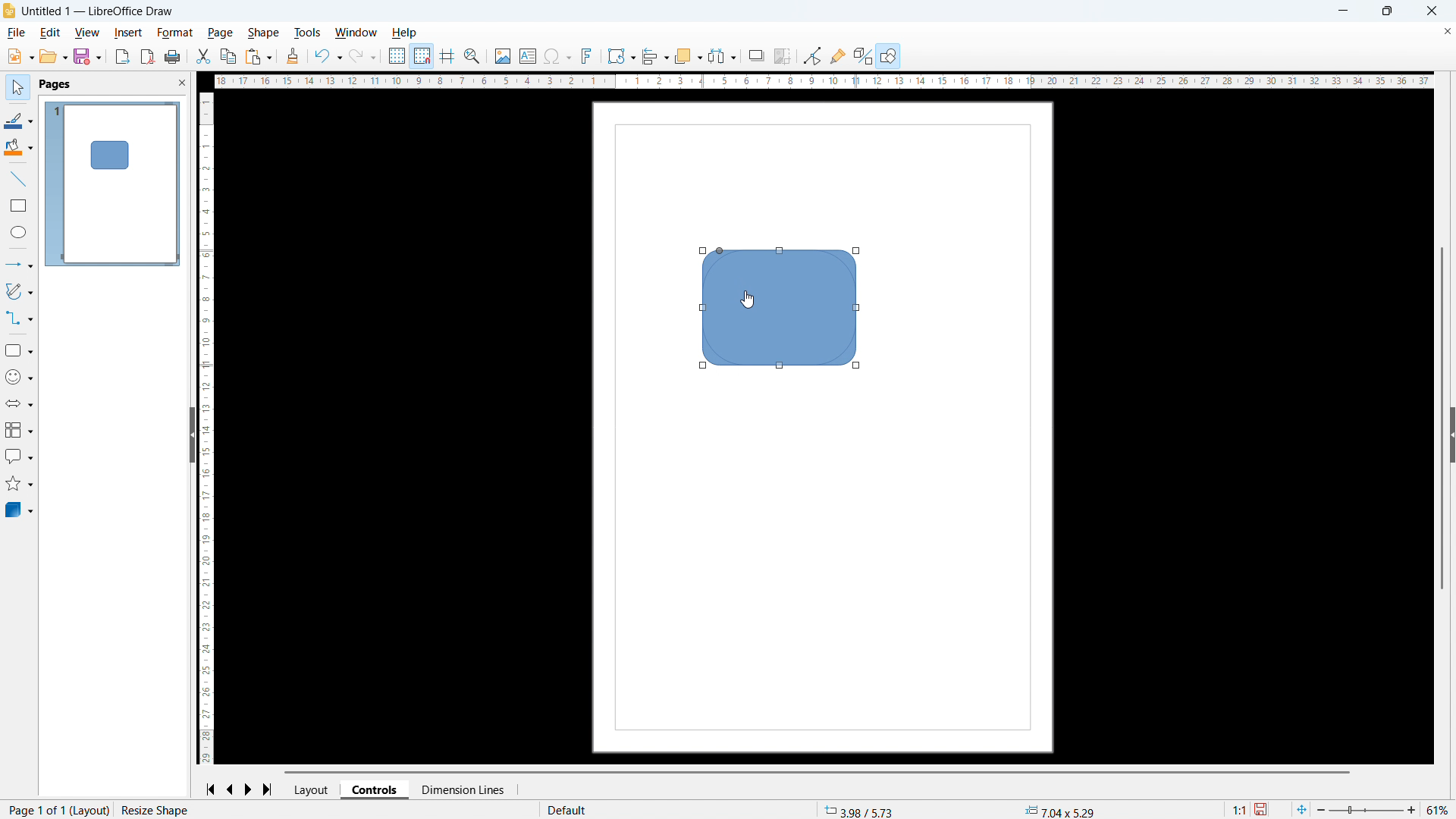 The height and width of the screenshot is (819, 1456). I want to click on 61%, so click(1439, 810).